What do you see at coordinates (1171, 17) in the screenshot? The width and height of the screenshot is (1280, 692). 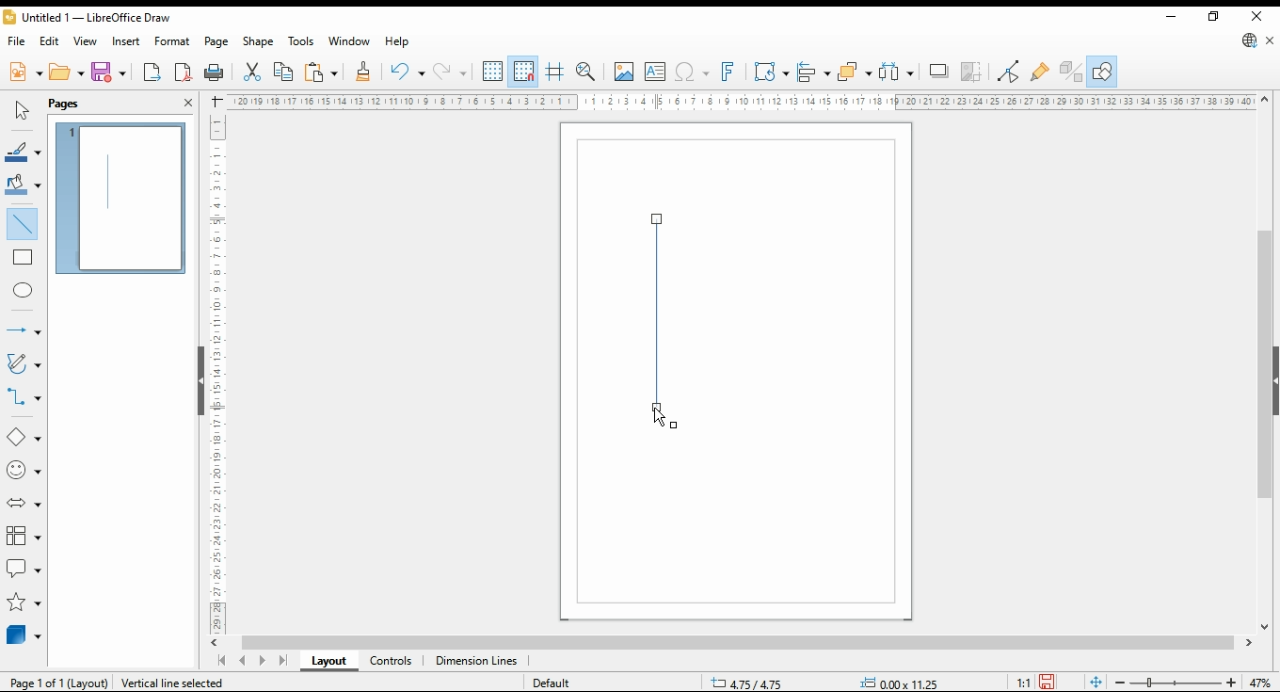 I see `minimize` at bounding box center [1171, 17].